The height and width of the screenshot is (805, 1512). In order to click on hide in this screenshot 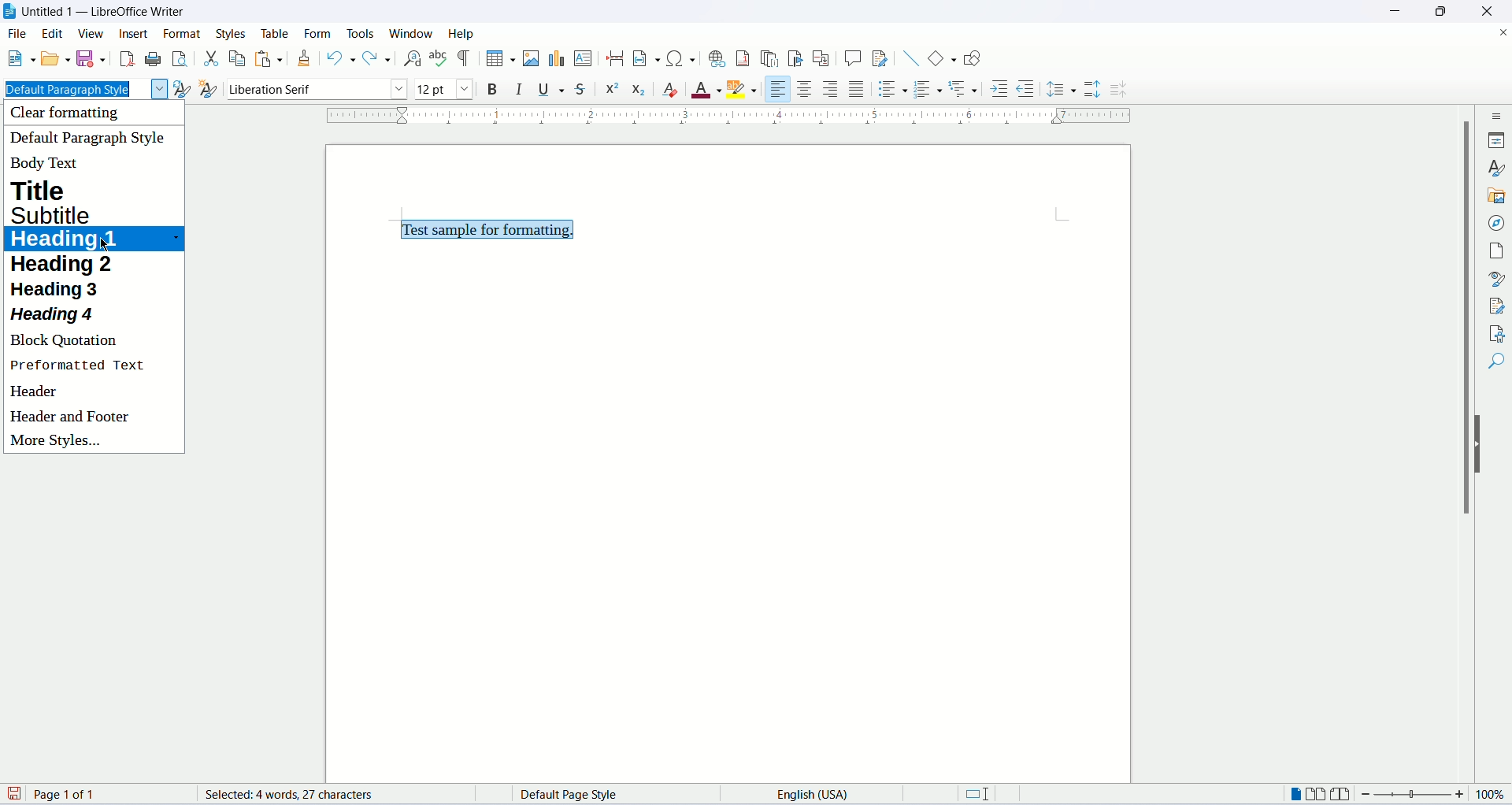, I will do `click(1480, 446)`.